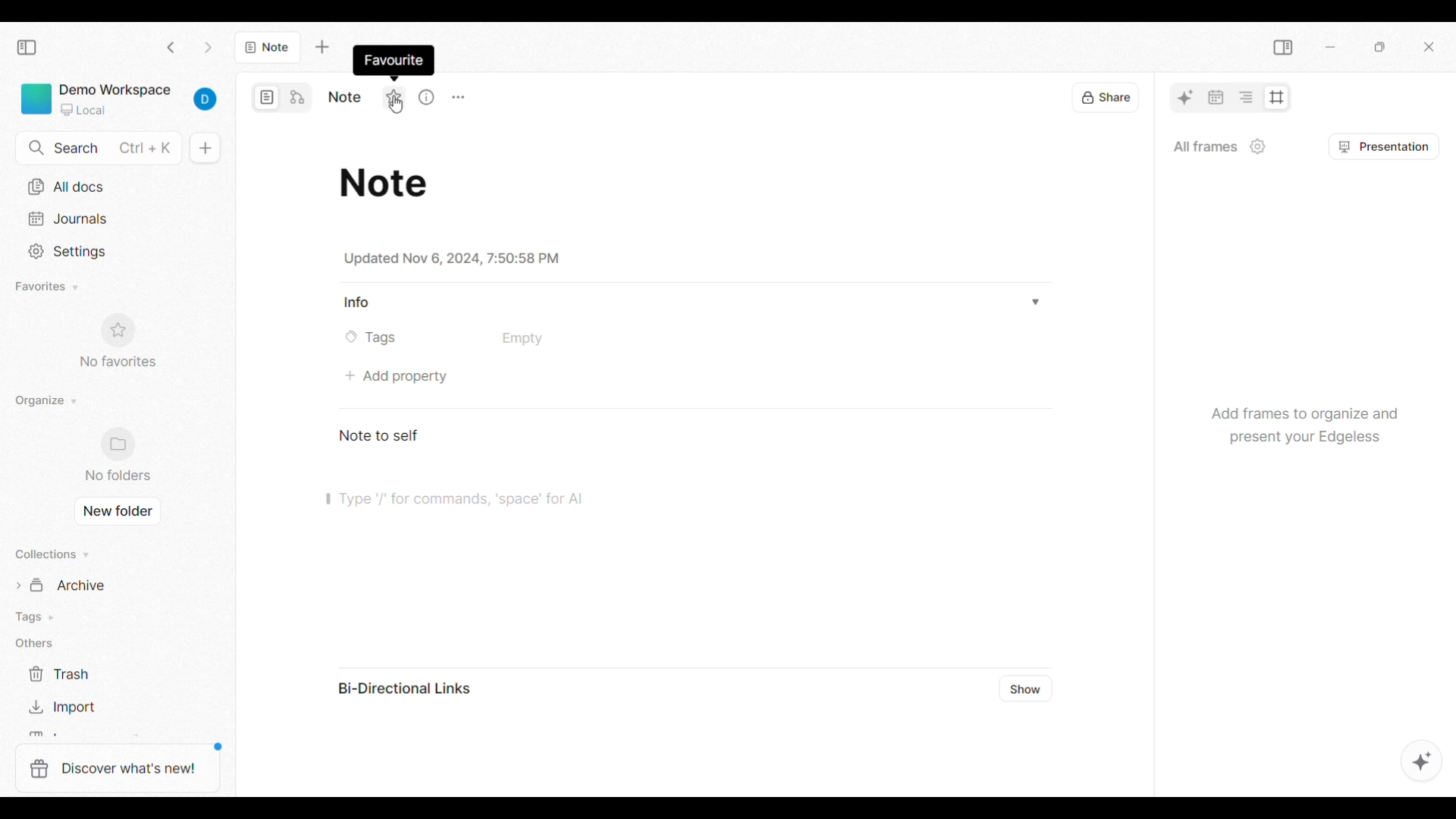 This screenshot has height=819, width=1456. What do you see at coordinates (209, 48) in the screenshot?
I see `Go forward` at bounding box center [209, 48].